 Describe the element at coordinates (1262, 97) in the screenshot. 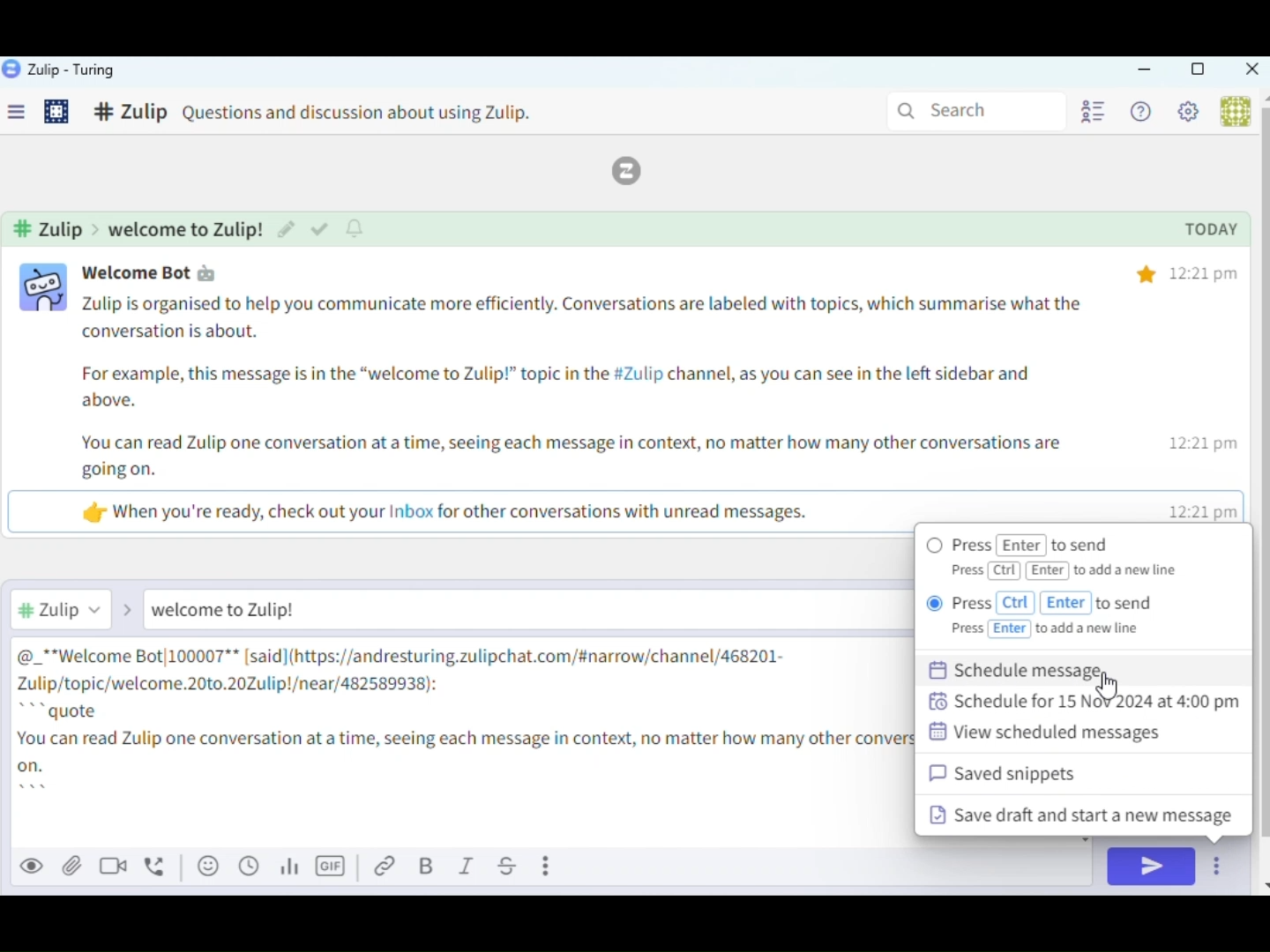

I see `Up` at that location.